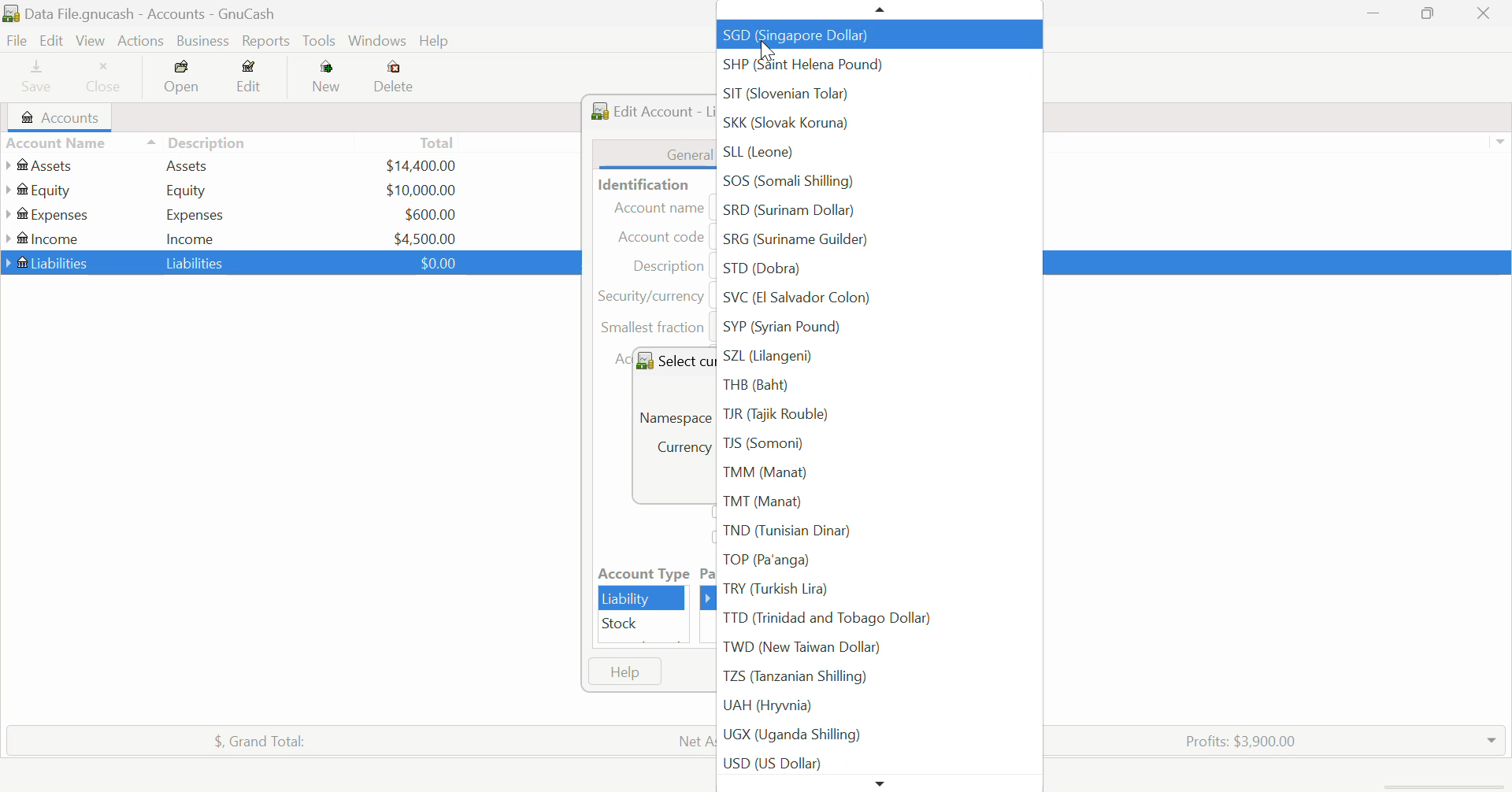 Image resolution: width=1512 pixels, height=792 pixels. What do you see at coordinates (661, 208) in the screenshot?
I see `Account name` at bounding box center [661, 208].